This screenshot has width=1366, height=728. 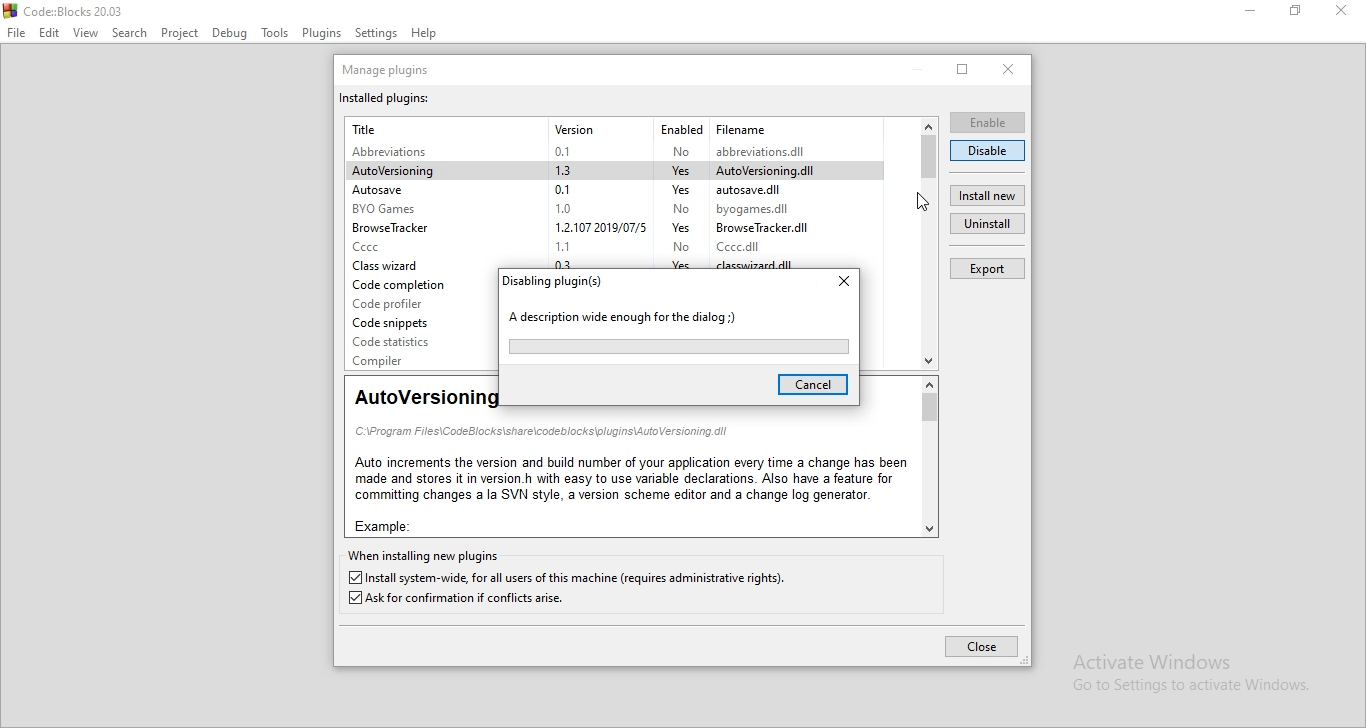 I want to click on export, so click(x=990, y=268).